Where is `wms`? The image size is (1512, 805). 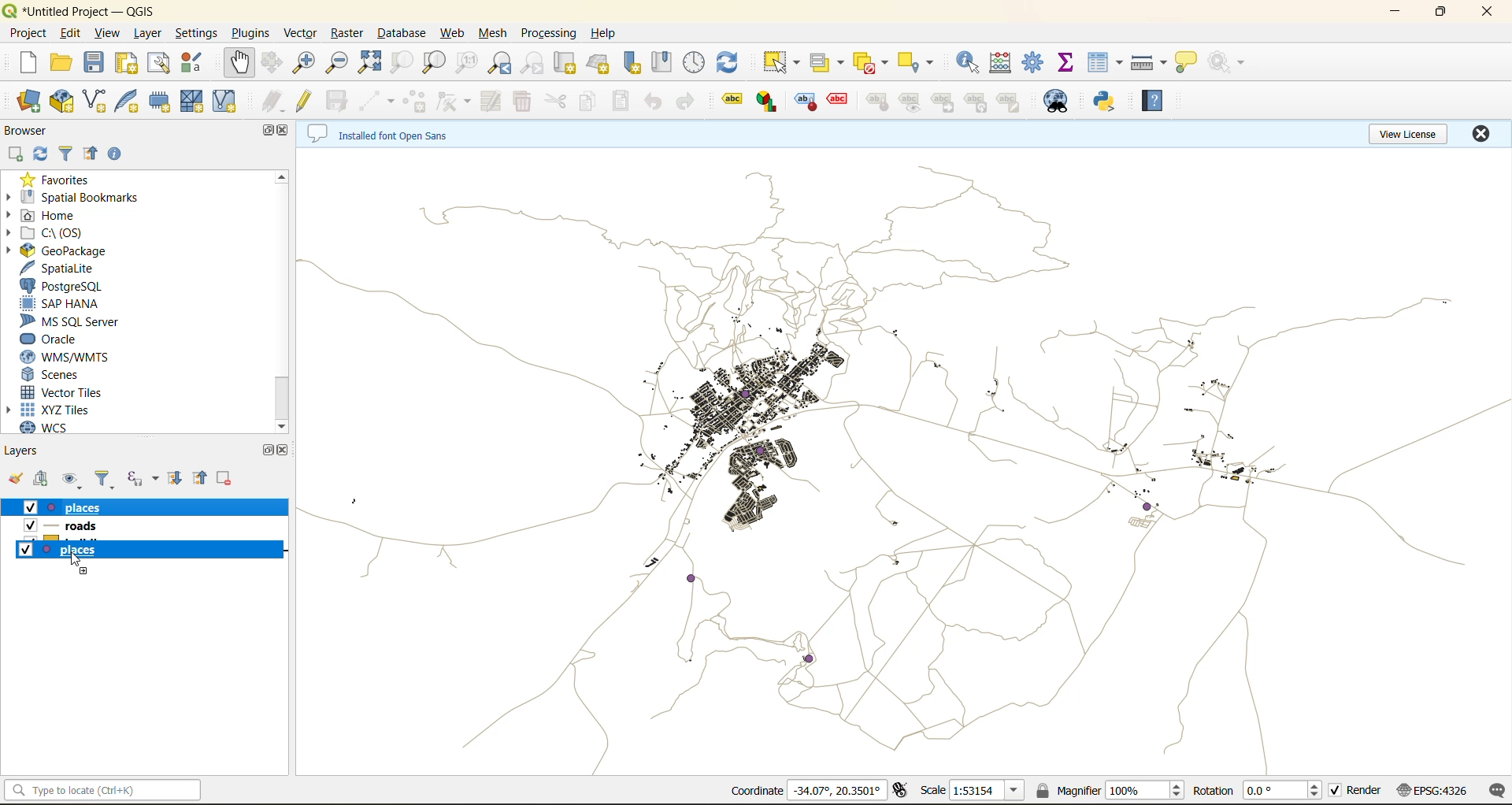 wms is located at coordinates (94, 358).